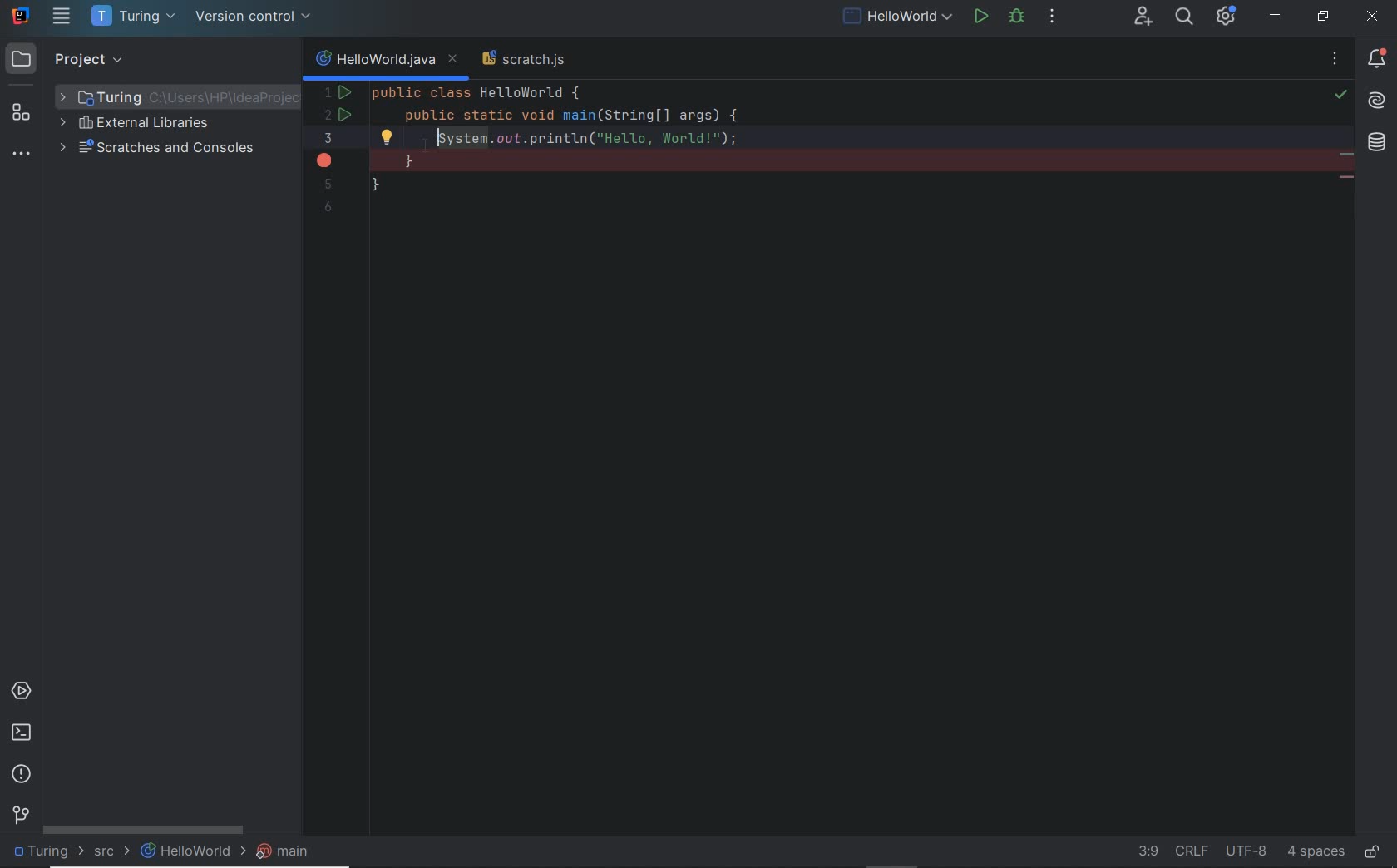  What do you see at coordinates (1016, 18) in the screenshot?
I see `debug` at bounding box center [1016, 18].